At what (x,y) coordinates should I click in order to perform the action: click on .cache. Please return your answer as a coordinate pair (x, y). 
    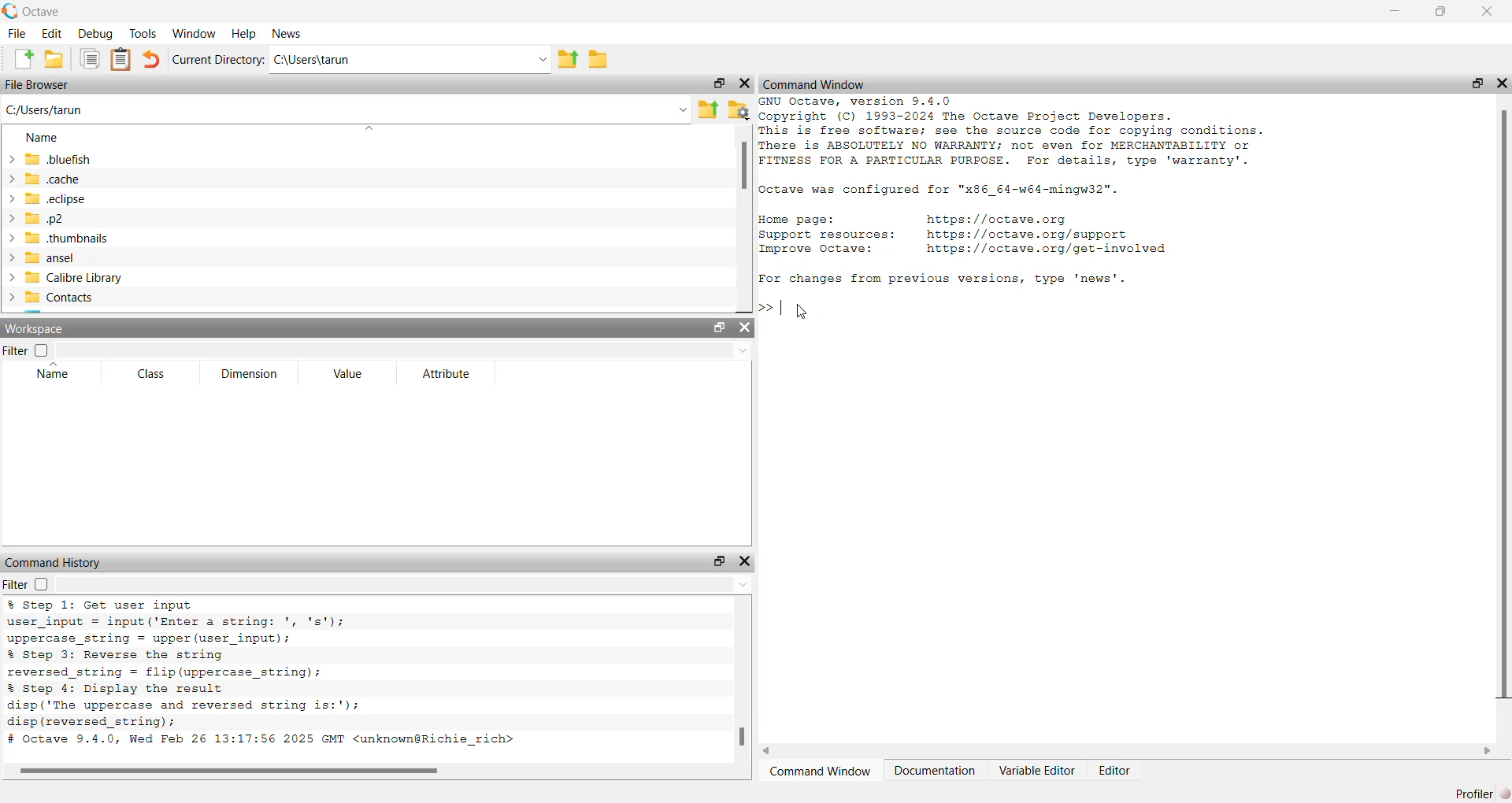
    Looking at the image, I should click on (80, 179).